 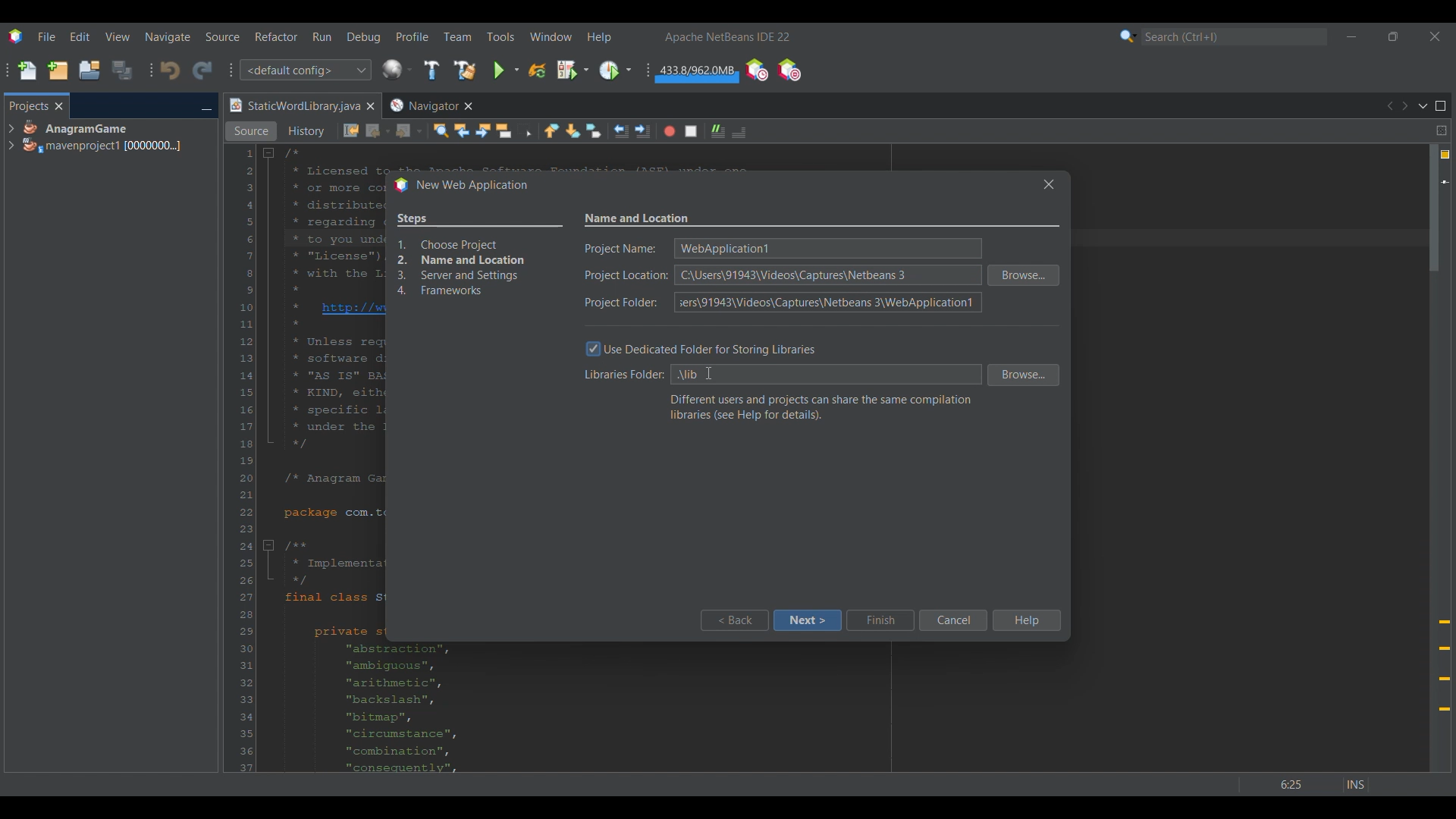 What do you see at coordinates (621, 376) in the screenshot?
I see `Indicates libraries folder textbox` at bounding box center [621, 376].